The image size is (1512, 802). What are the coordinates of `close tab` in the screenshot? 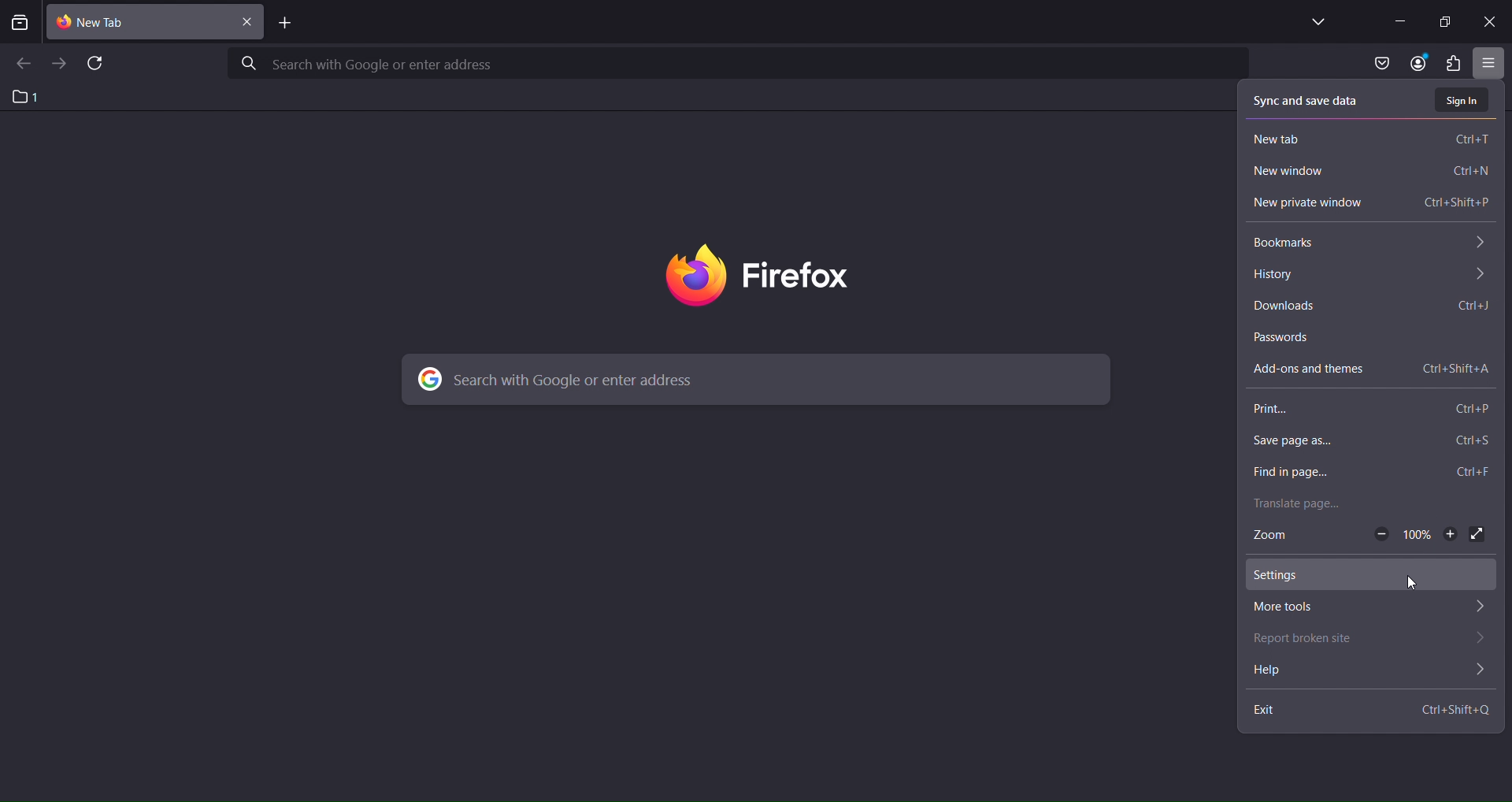 It's located at (143, 20).